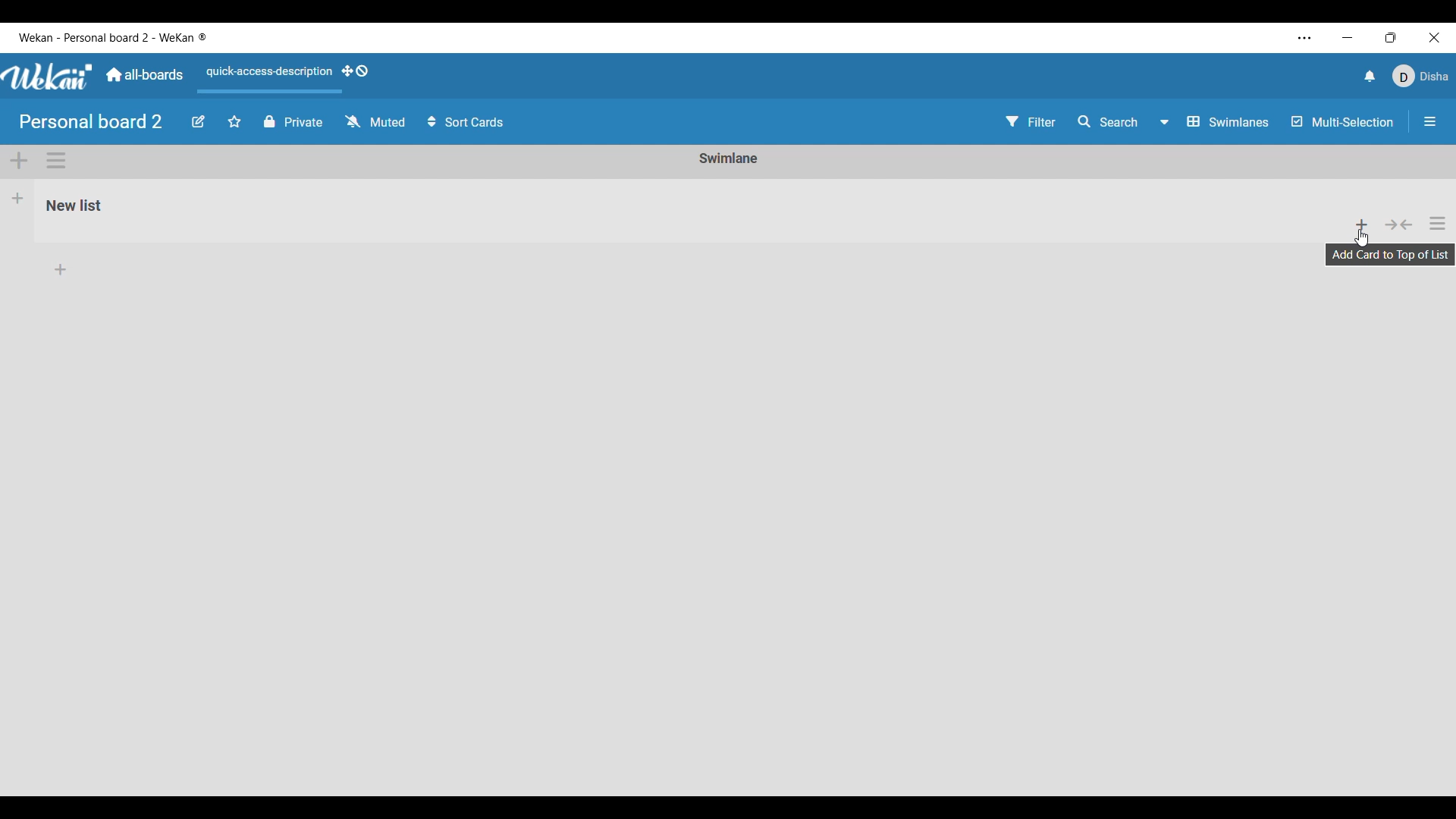 The width and height of the screenshot is (1456, 819). I want to click on Star board, so click(234, 121).